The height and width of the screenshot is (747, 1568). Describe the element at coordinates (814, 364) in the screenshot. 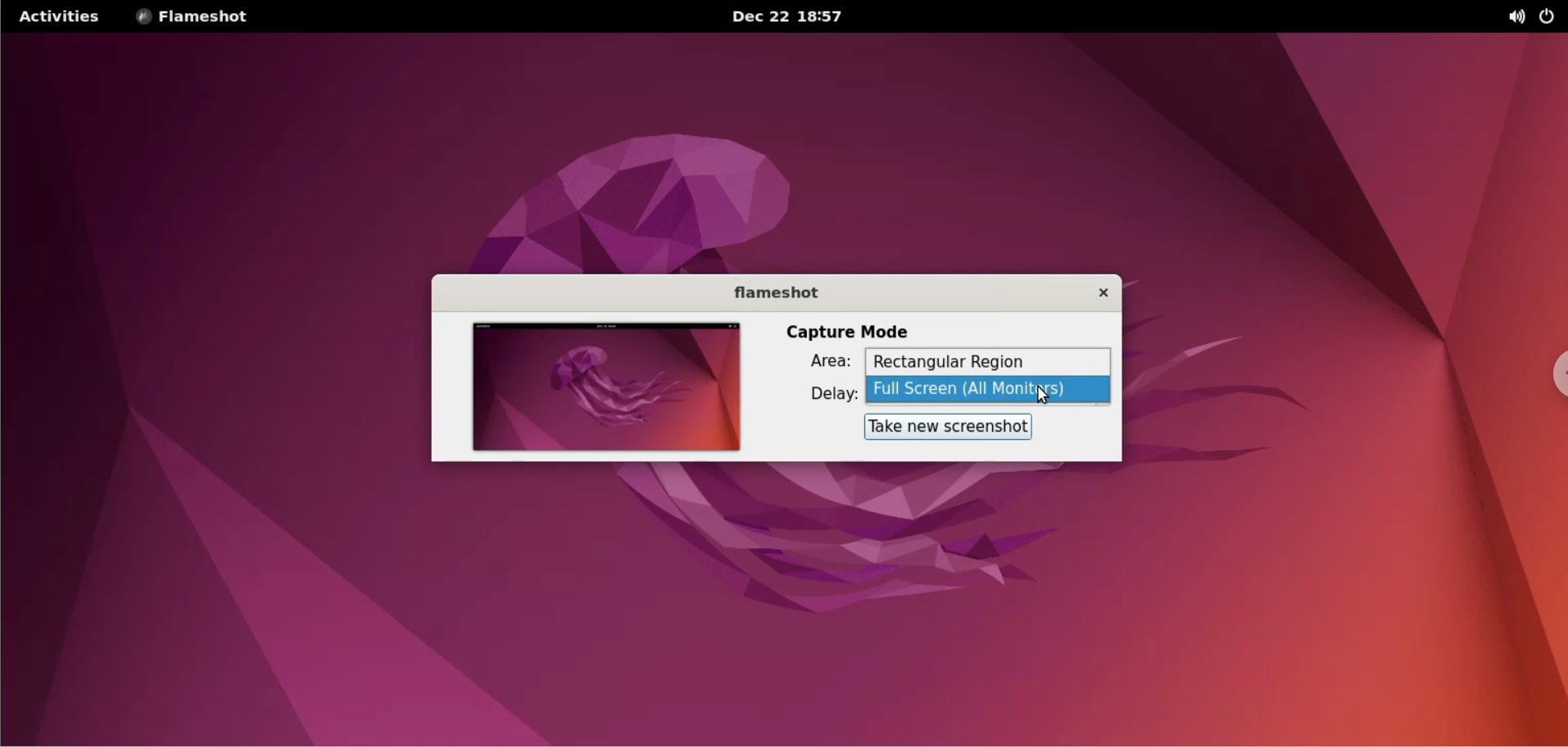

I see `area:` at that location.